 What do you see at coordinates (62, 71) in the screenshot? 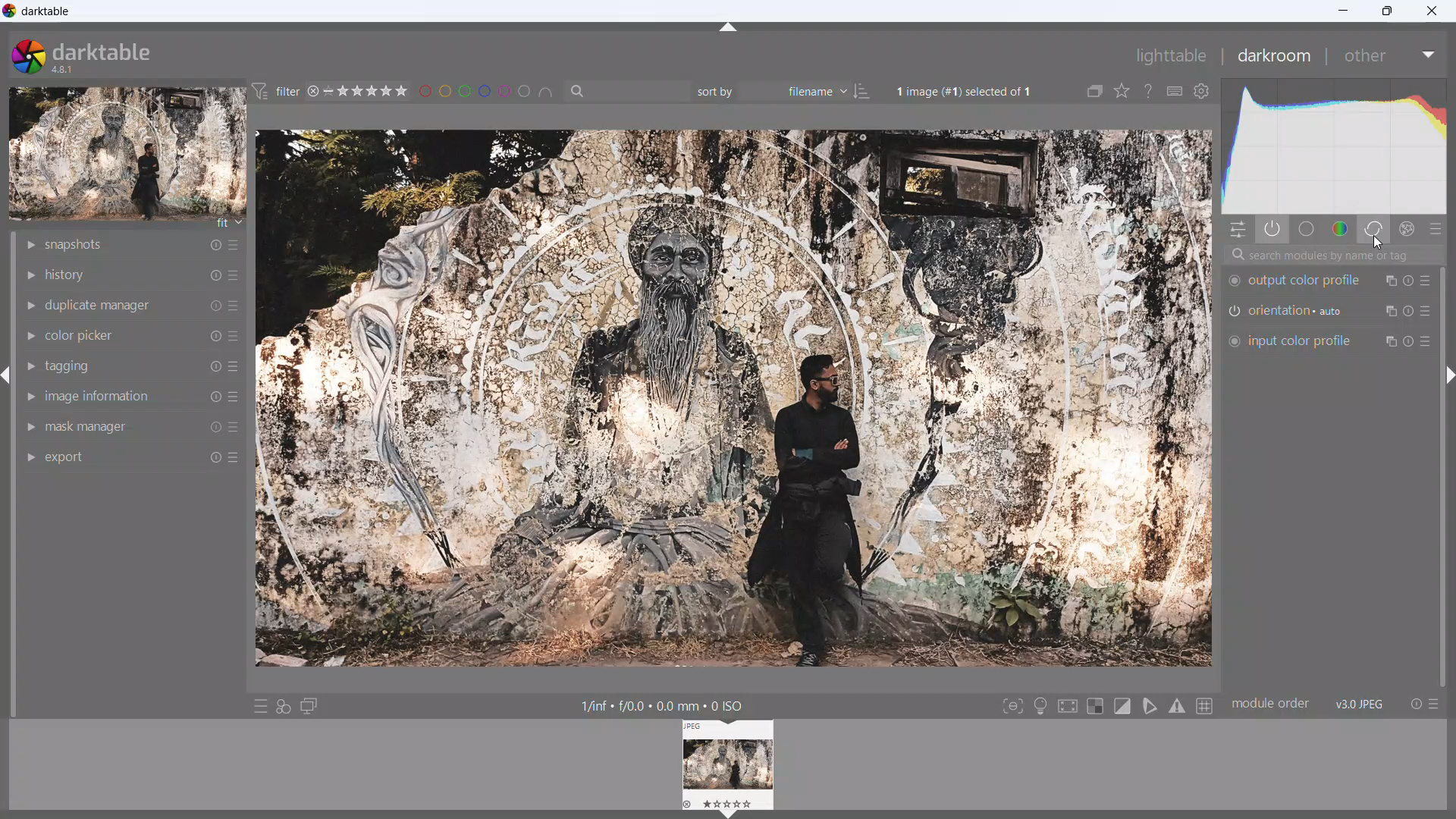
I see `version` at bounding box center [62, 71].